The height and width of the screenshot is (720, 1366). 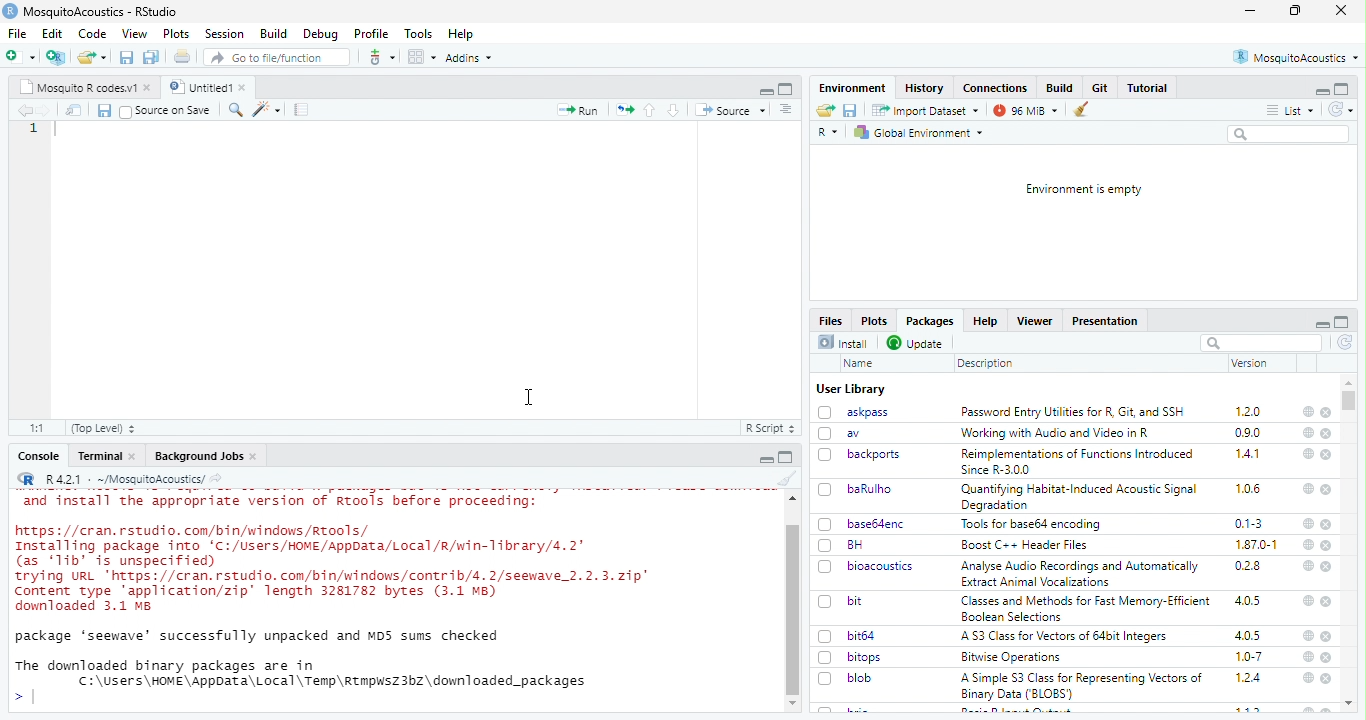 I want to click on bit64, so click(x=862, y=636).